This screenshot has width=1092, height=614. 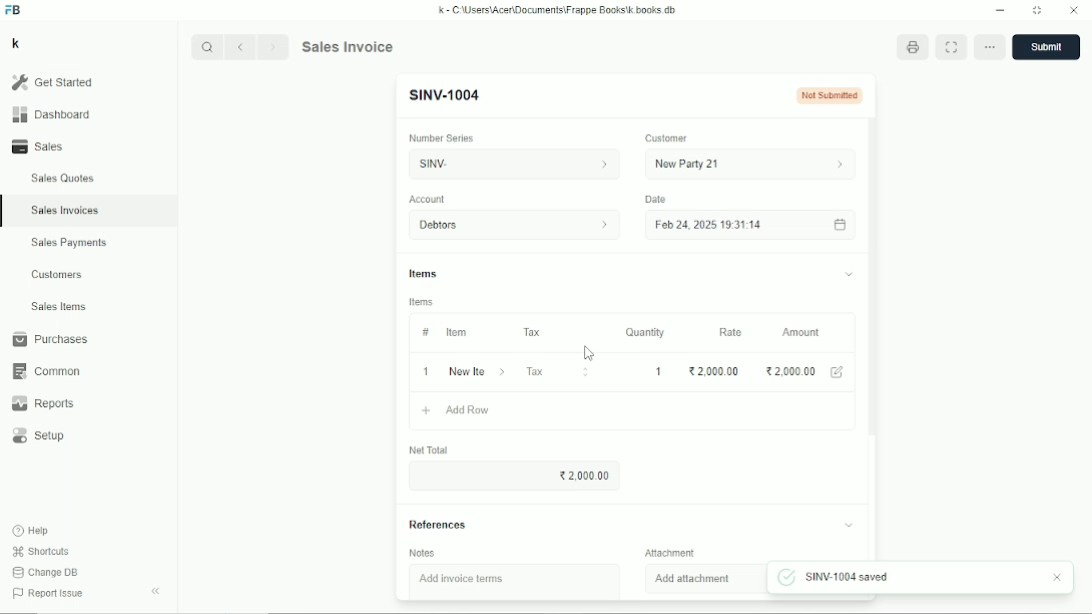 What do you see at coordinates (730, 332) in the screenshot?
I see `Rate` at bounding box center [730, 332].